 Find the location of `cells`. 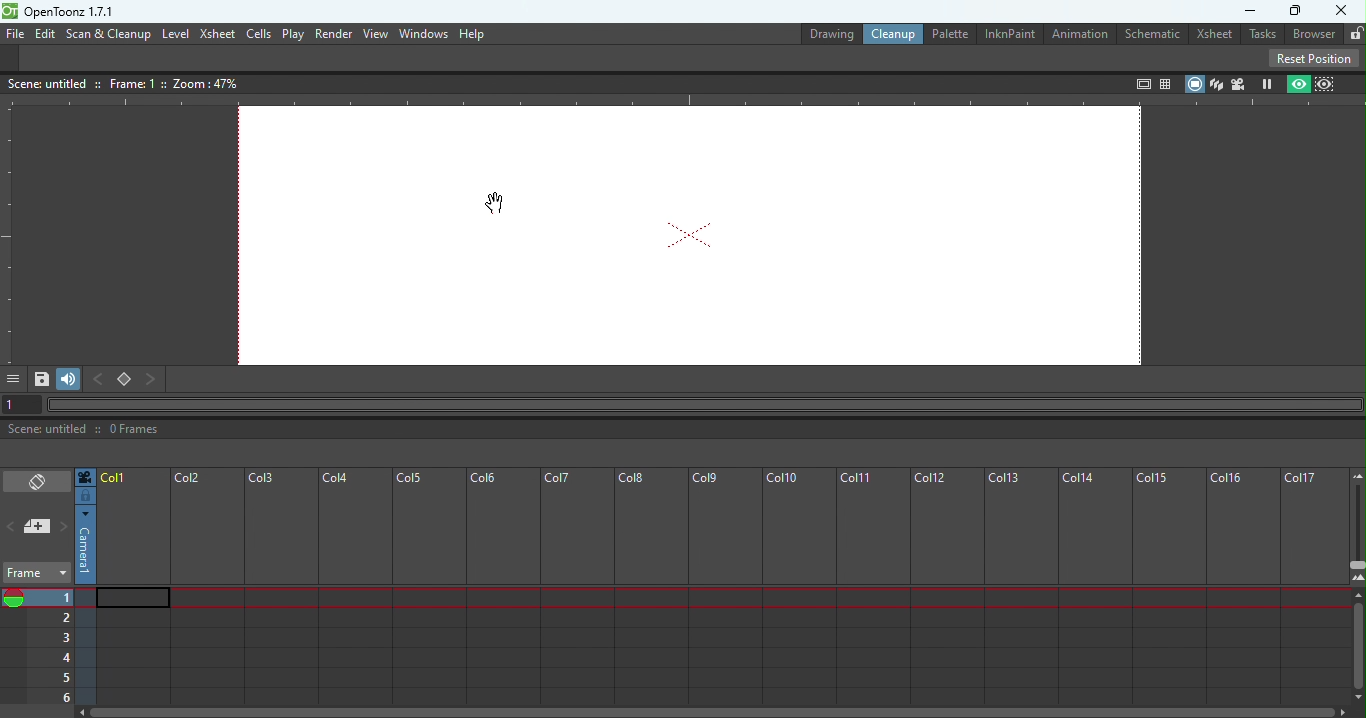

cells is located at coordinates (258, 34).